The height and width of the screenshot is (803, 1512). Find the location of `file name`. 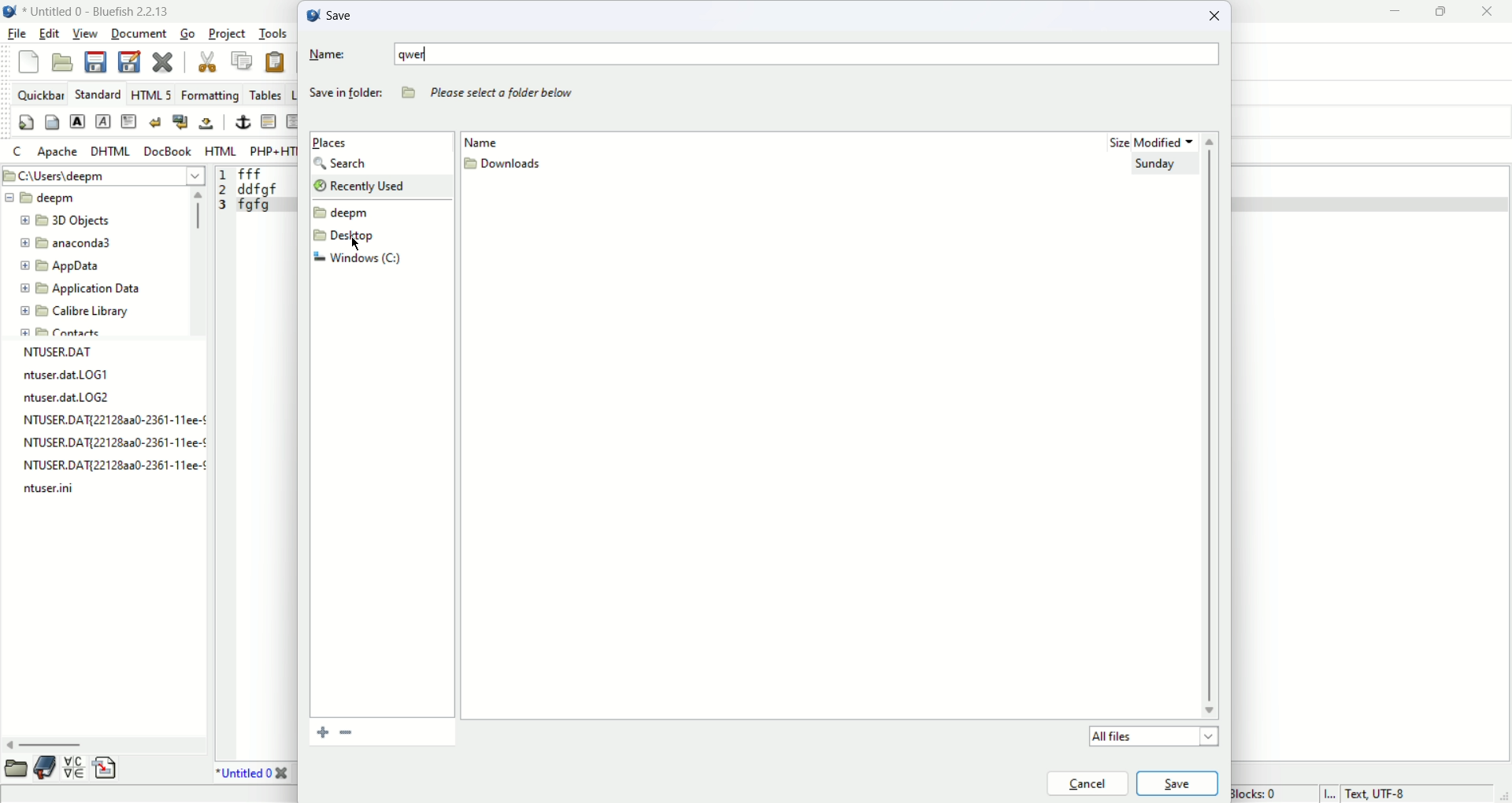

file name is located at coordinates (46, 493).